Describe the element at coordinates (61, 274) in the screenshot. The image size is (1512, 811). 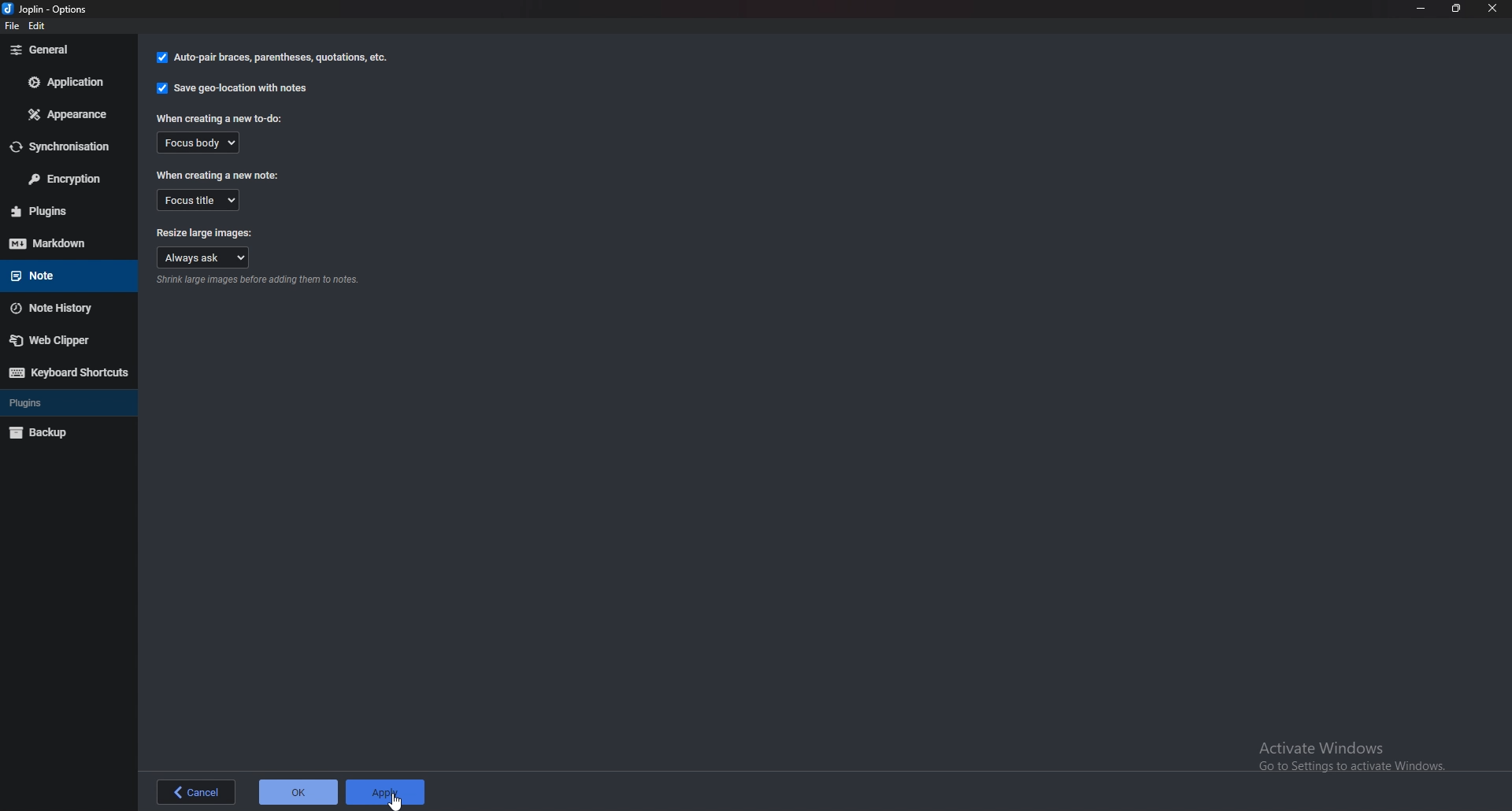
I see `note` at that location.